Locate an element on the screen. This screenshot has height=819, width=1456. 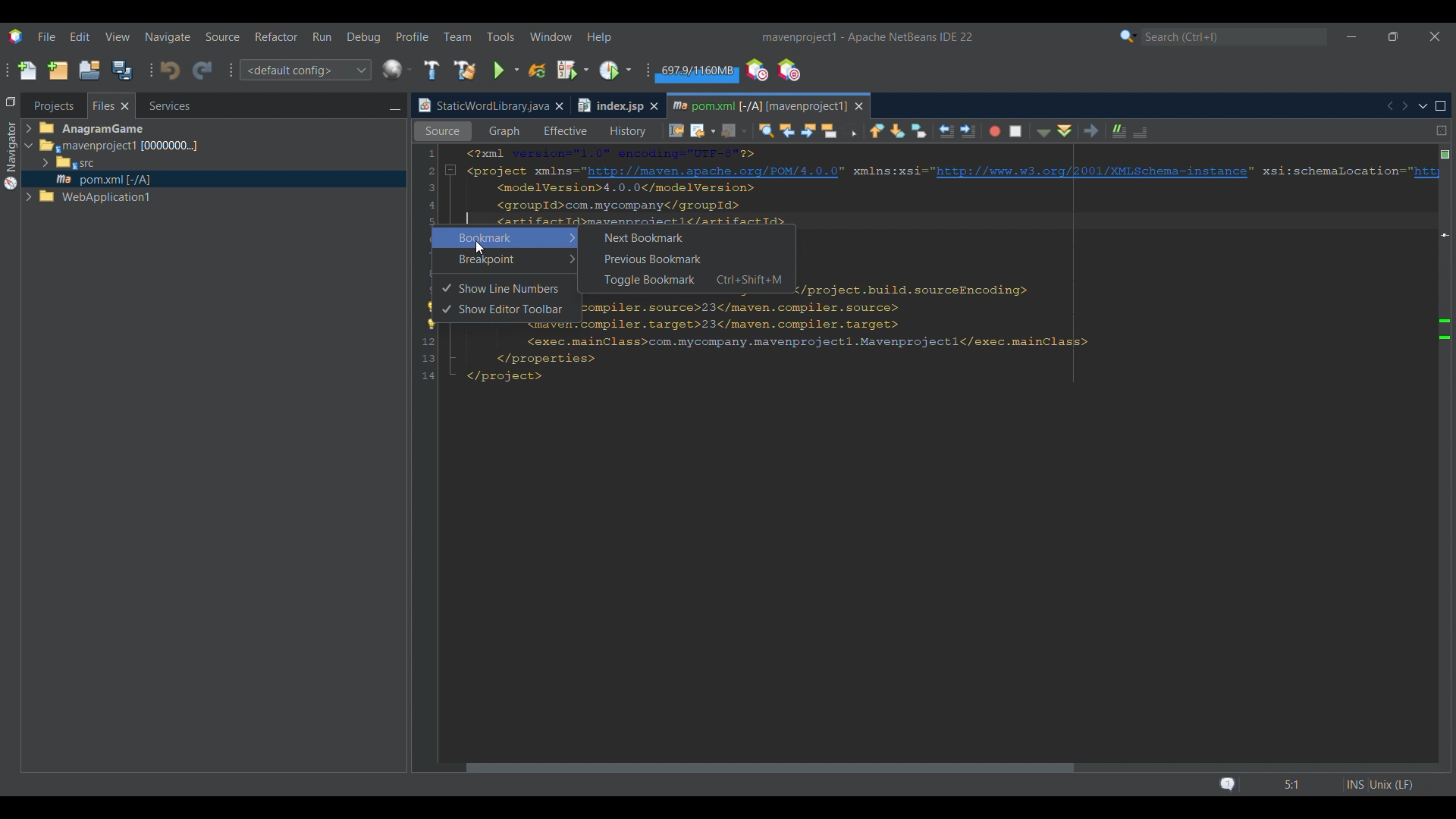
Last edit is located at coordinates (676, 130).